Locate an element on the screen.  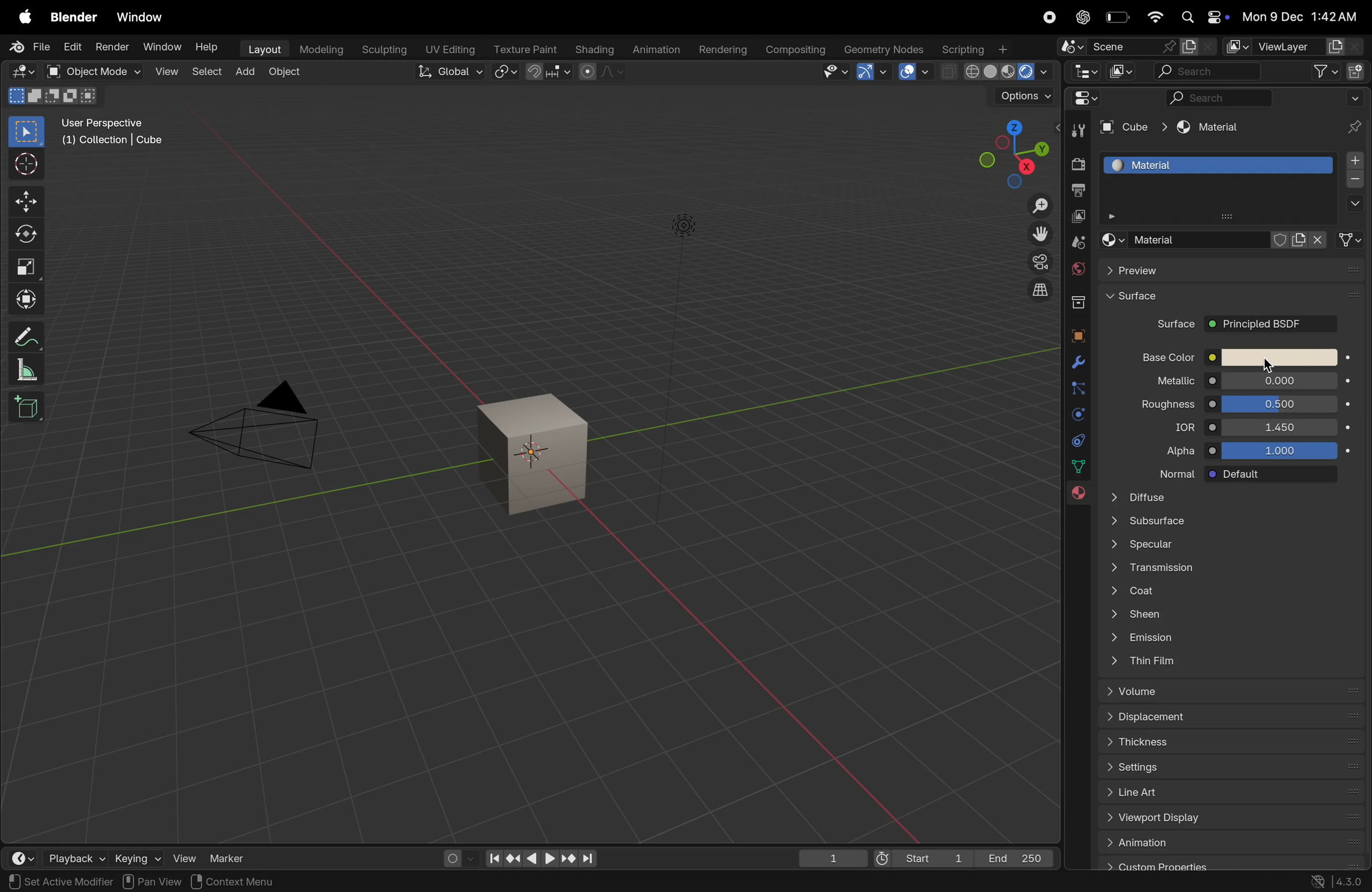
Spectular is located at coordinates (1226, 547).